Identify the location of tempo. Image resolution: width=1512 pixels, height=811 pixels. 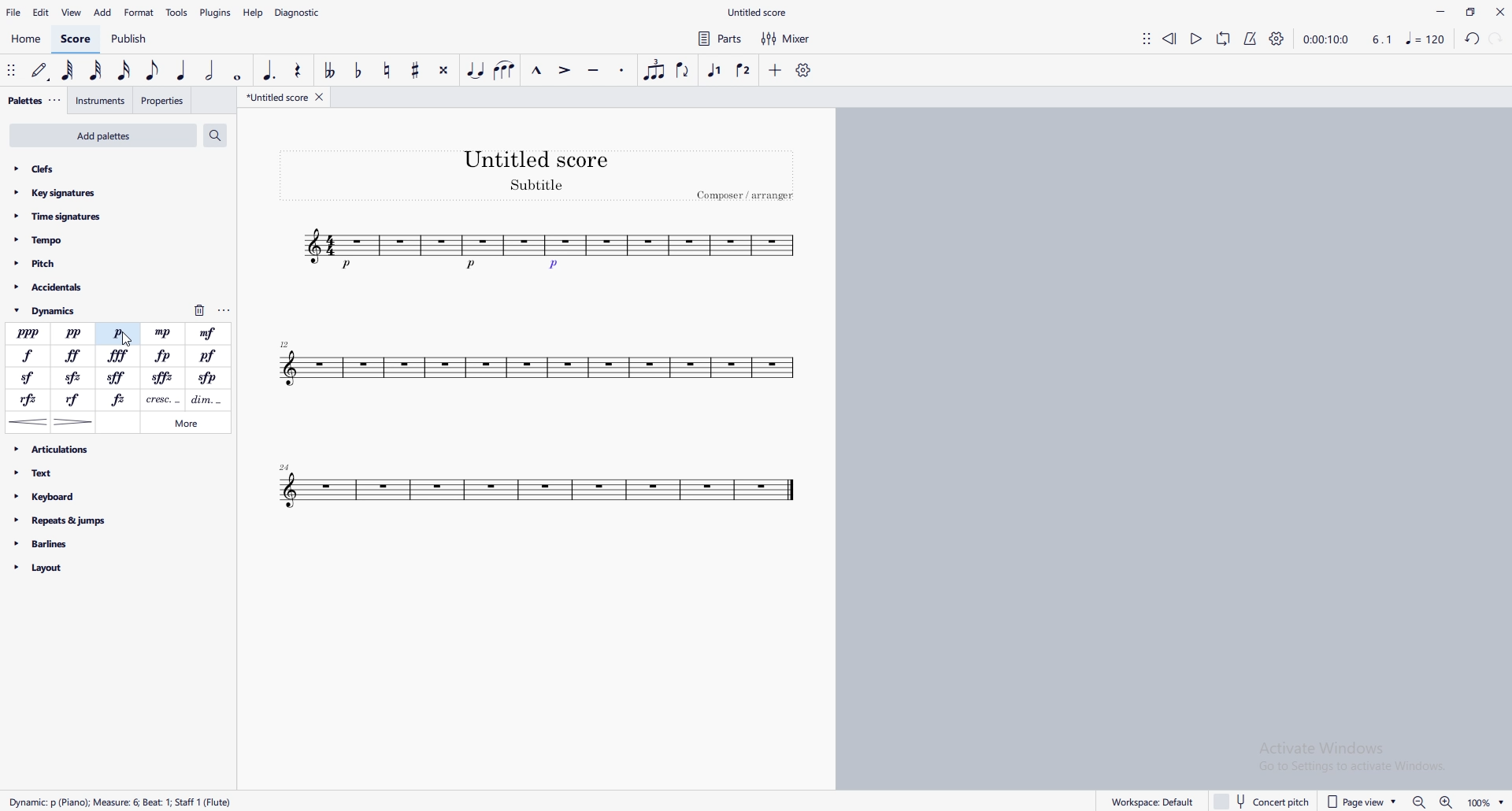
(102, 239).